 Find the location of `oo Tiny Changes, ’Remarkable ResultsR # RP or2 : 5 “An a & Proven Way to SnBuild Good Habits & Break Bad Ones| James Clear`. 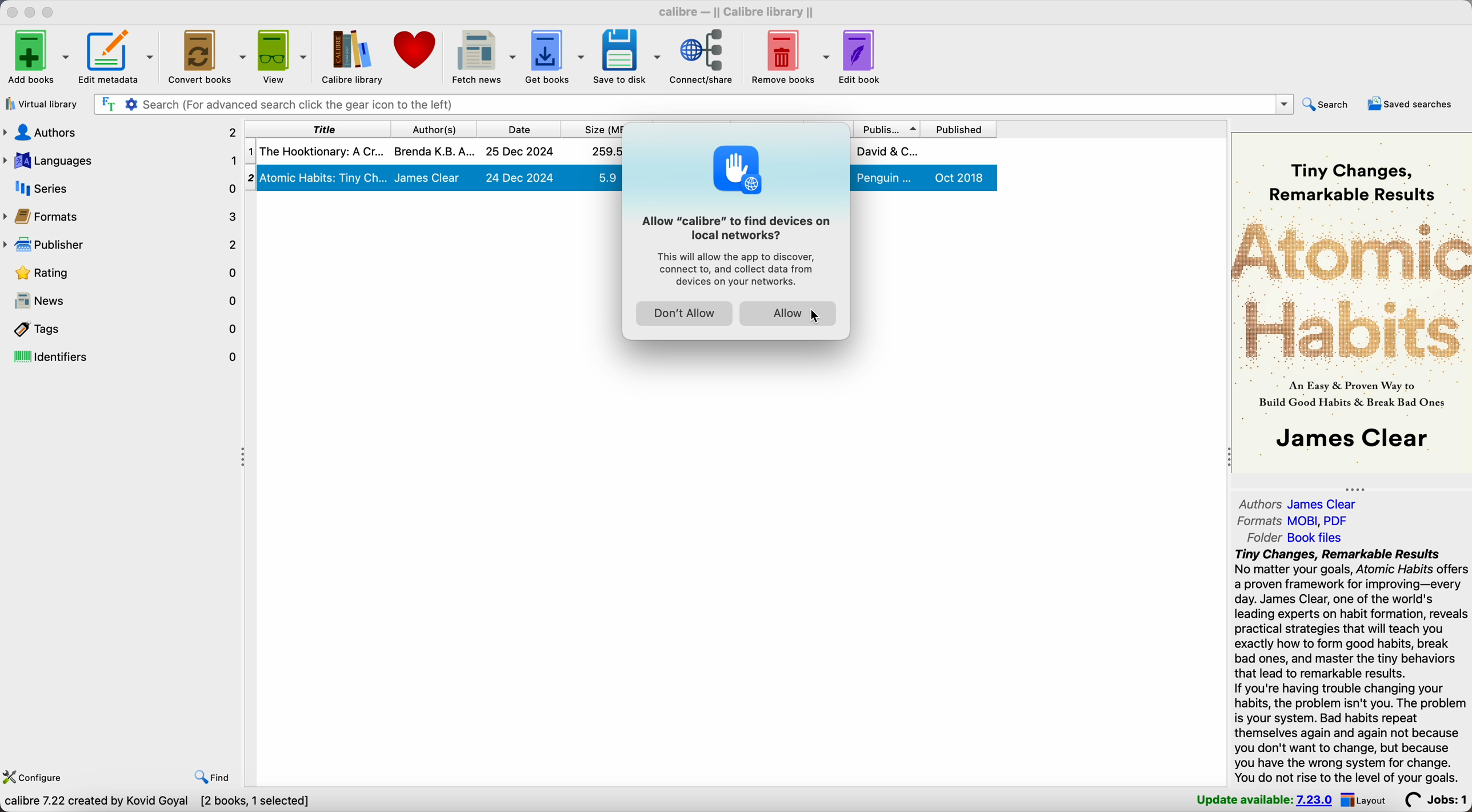

oo Tiny Changes, ’Remarkable ResultsR # RP or2 : 5 “An a & Proven Way to SnBuild Good Habits & Break Bad Ones| James Clear is located at coordinates (1349, 303).